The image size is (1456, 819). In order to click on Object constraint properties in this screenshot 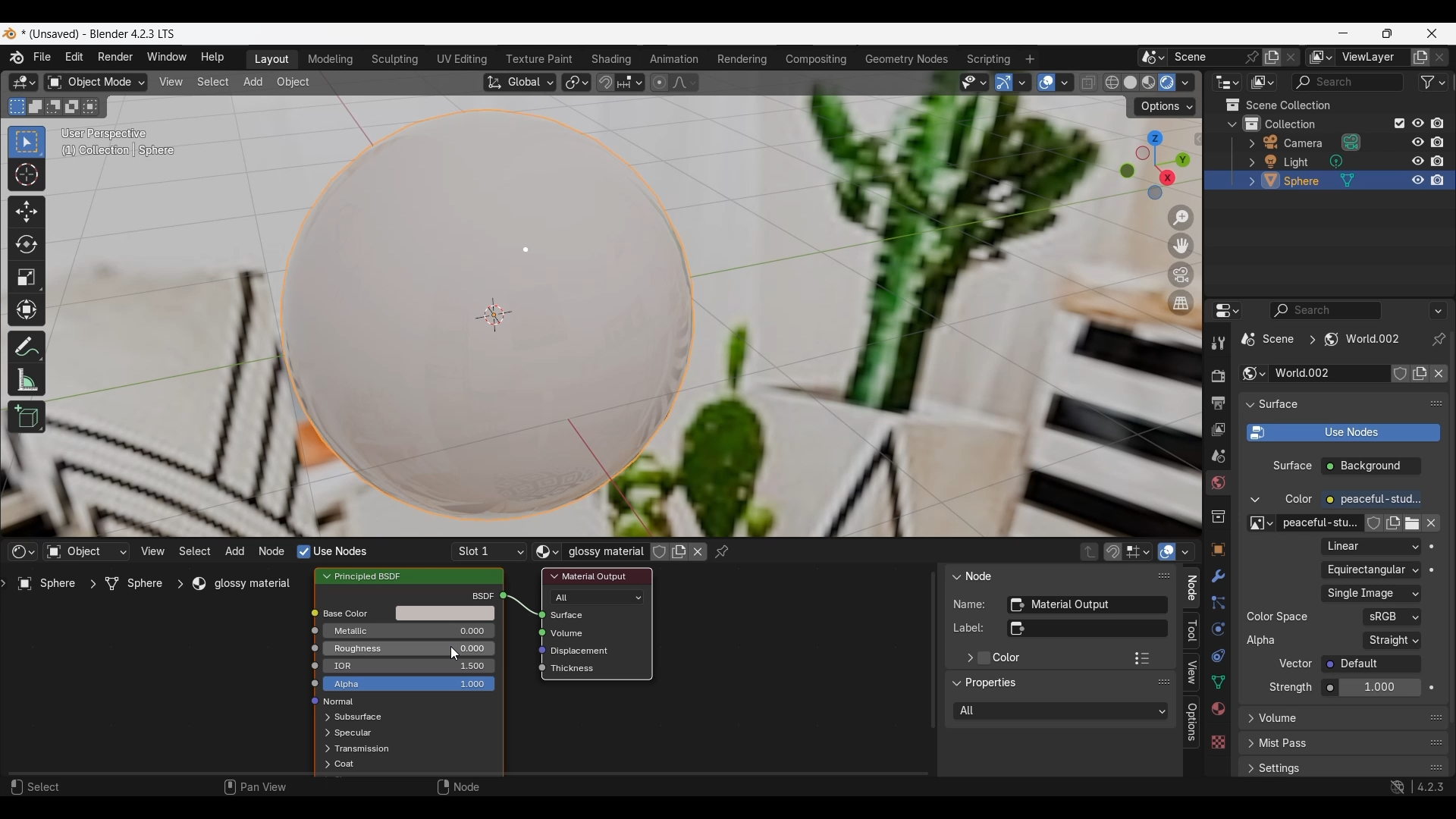, I will do `click(1217, 655)`.